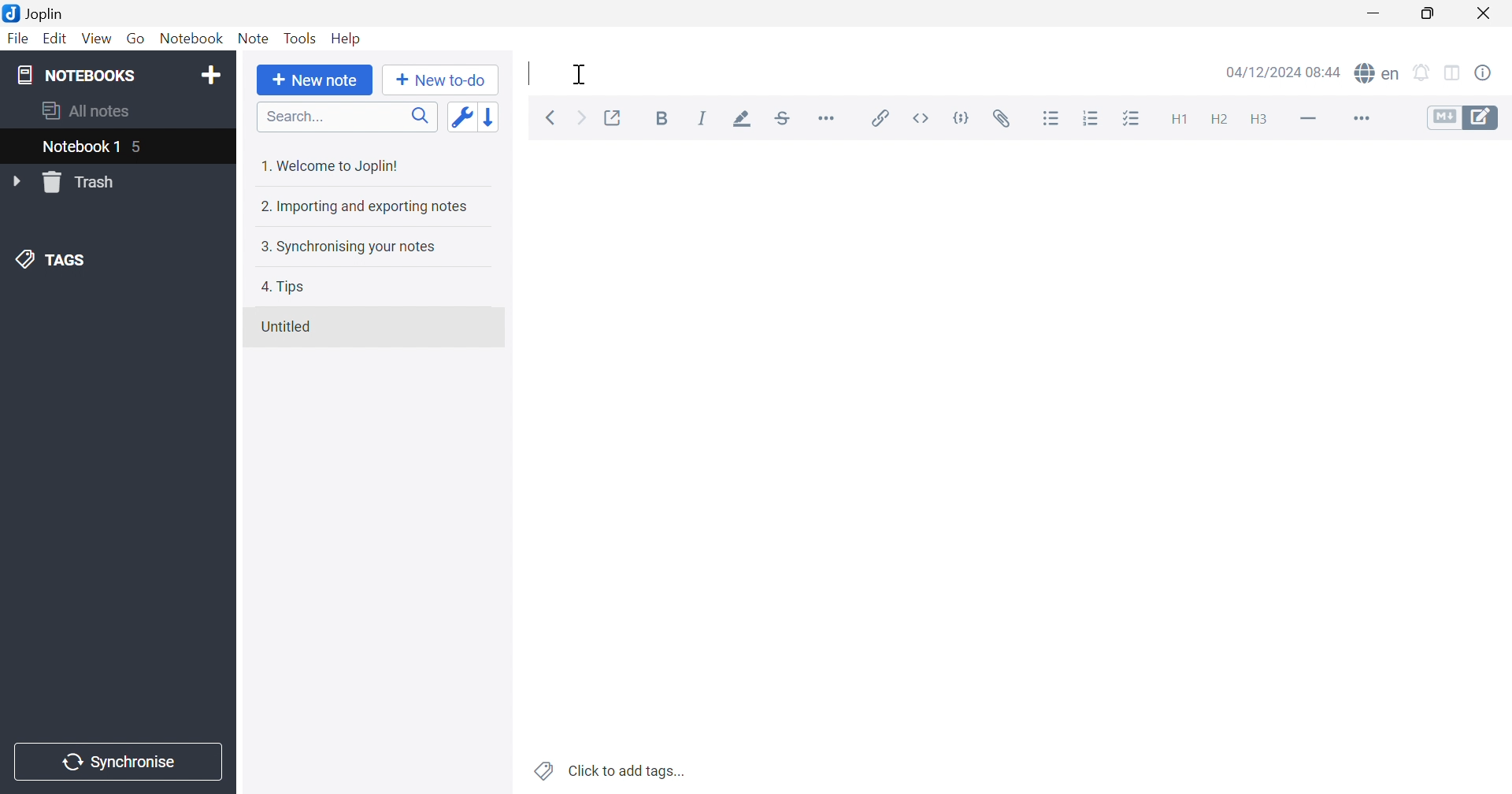 This screenshot has width=1512, height=794. What do you see at coordinates (1091, 118) in the screenshot?
I see `Numbered list` at bounding box center [1091, 118].